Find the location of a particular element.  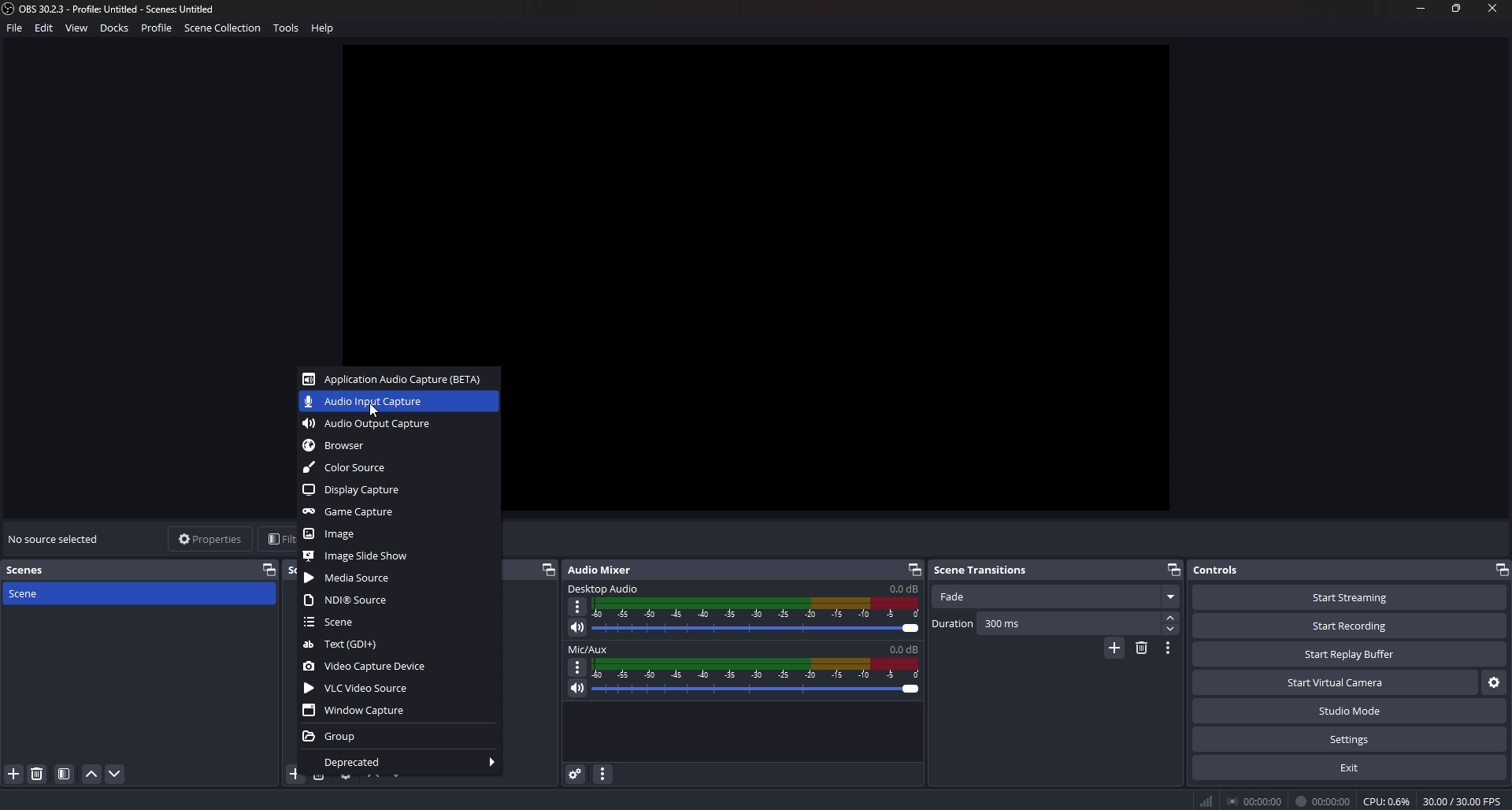

no source selected is located at coordinates (56, 538).